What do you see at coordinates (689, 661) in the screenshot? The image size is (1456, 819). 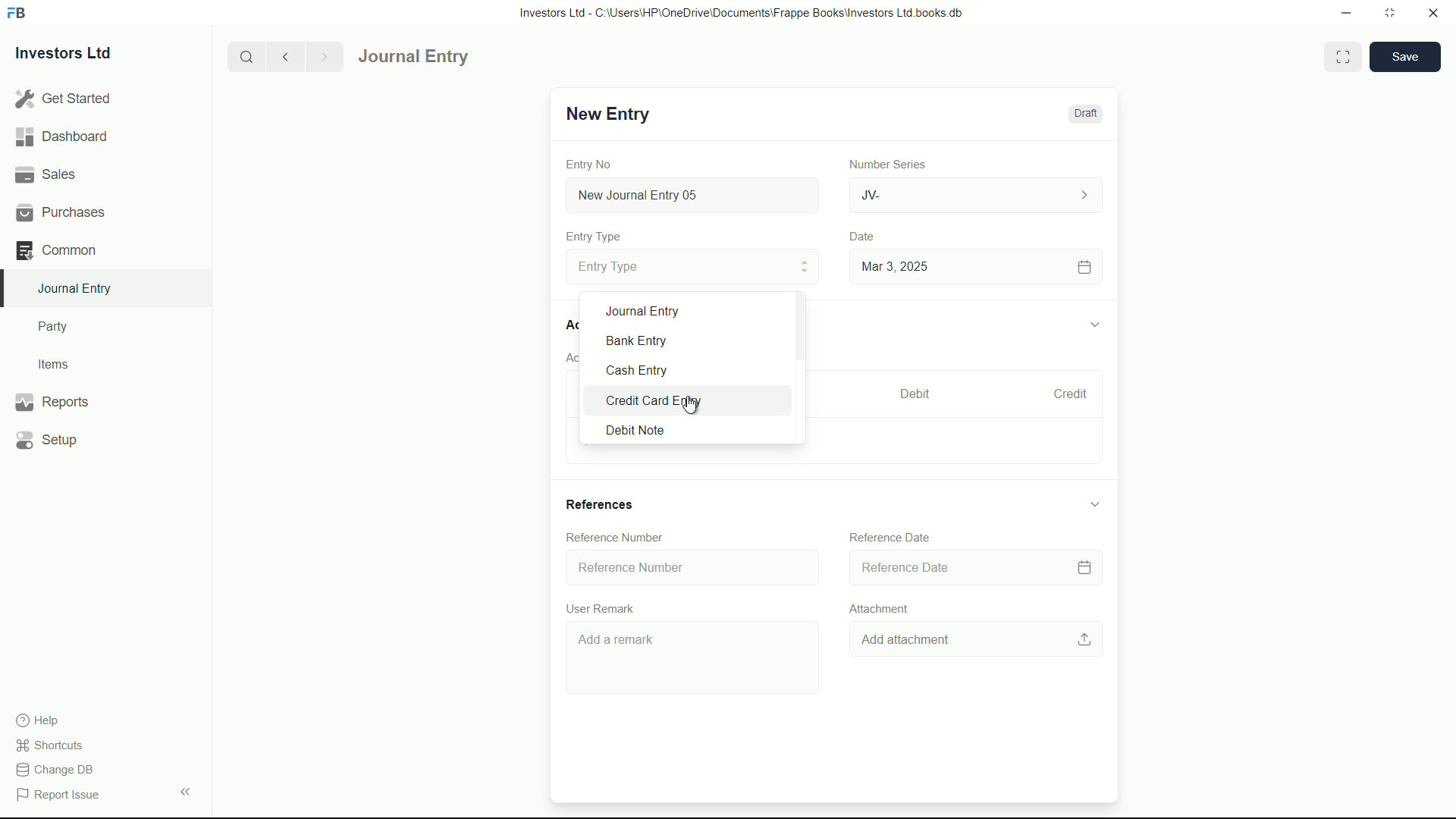 I see `Add a remark` at bounding box center [689, 661].